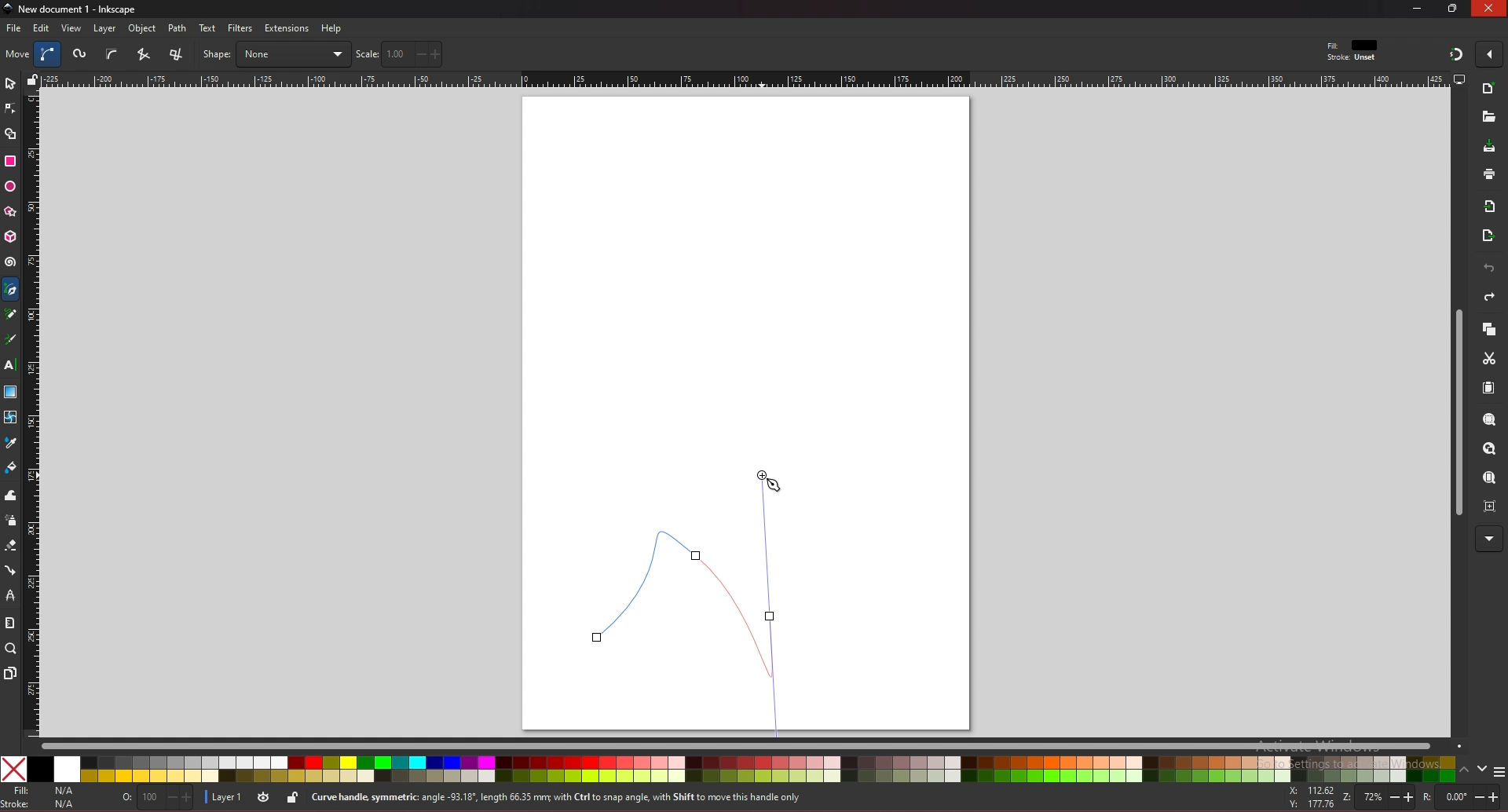  I want to click on spiro path, so click(81, 55).